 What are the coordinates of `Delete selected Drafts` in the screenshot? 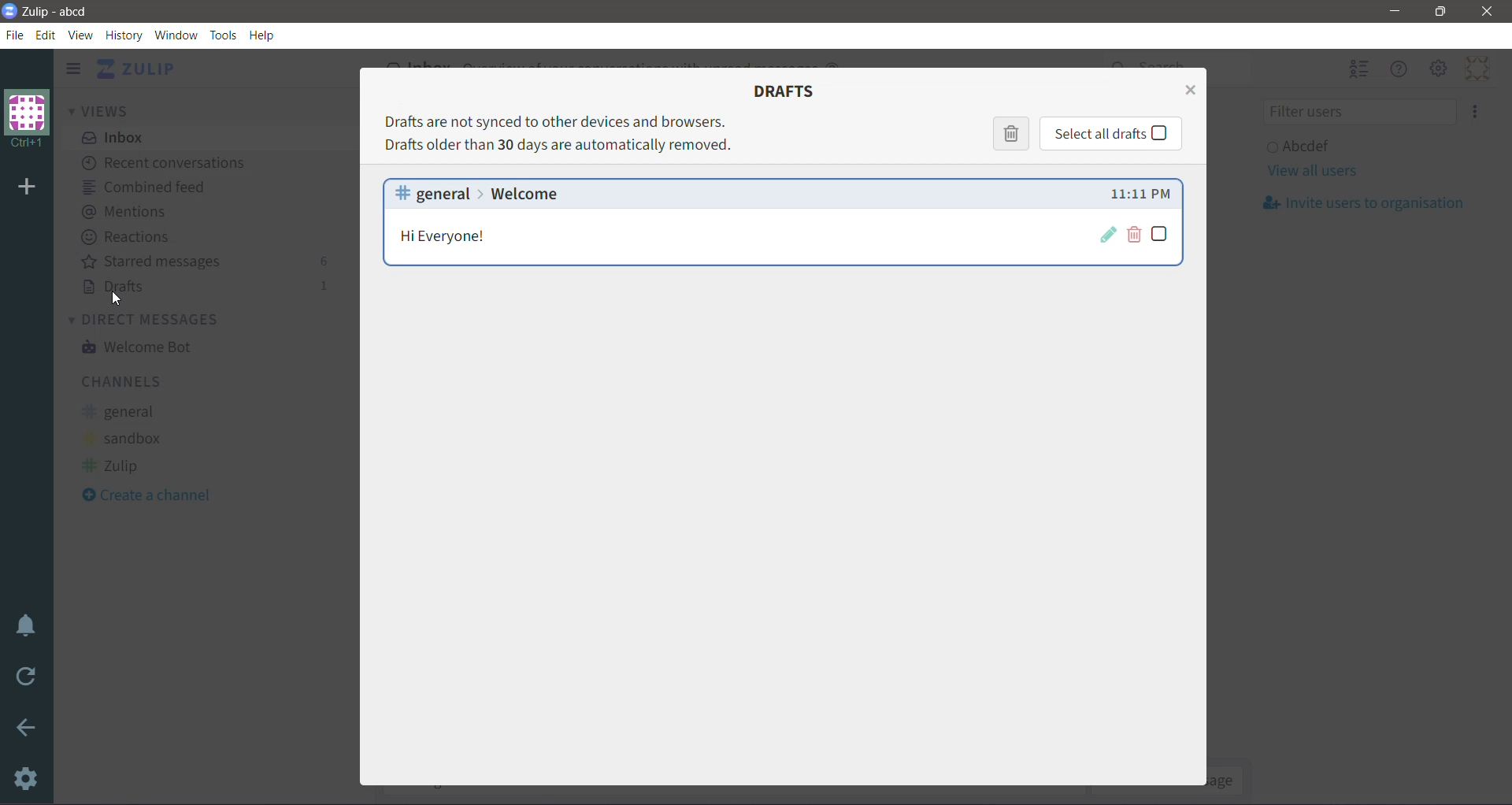 It's located at (1013, 135).